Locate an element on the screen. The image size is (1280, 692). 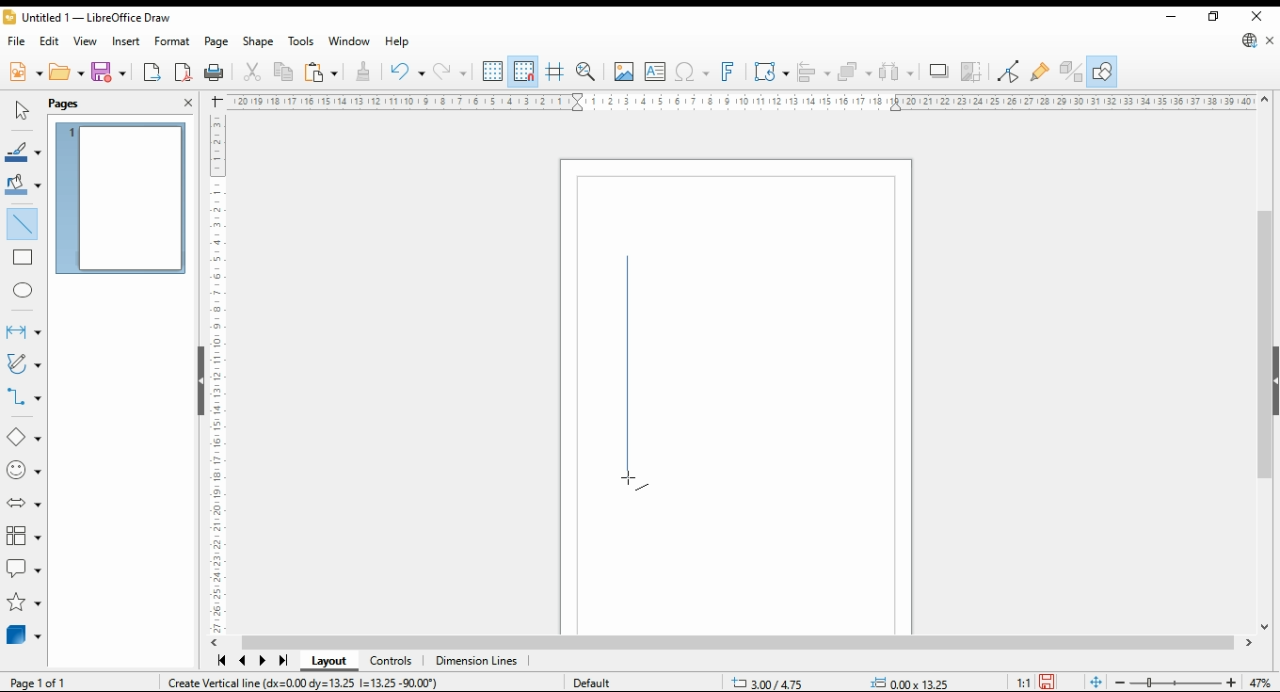
help is located at coordinates (398, 42).